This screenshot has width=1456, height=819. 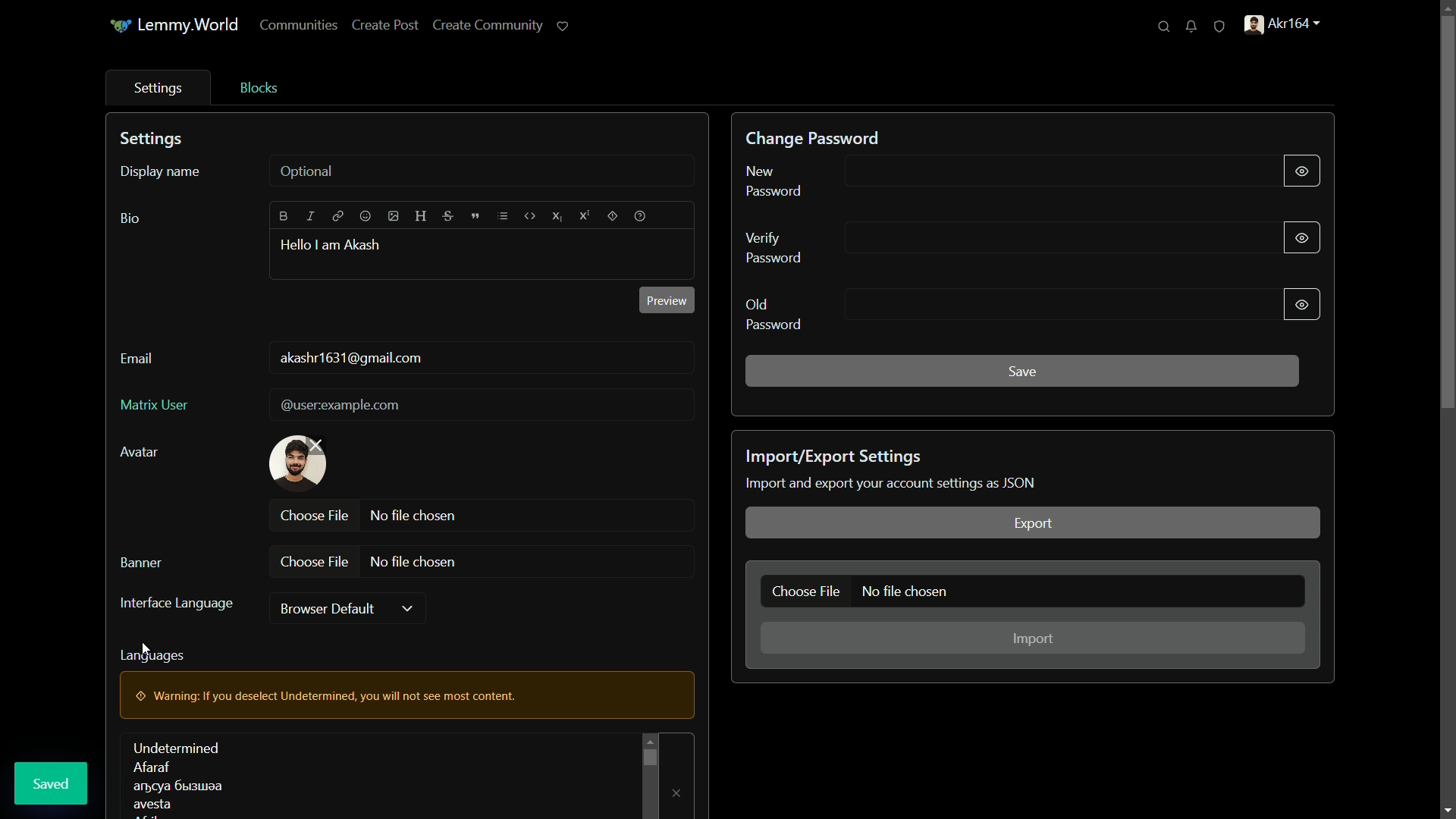 What do you see at coordinates (145, 650) in the screenshot?
I see `cursor` at bounding box center [145, 650].